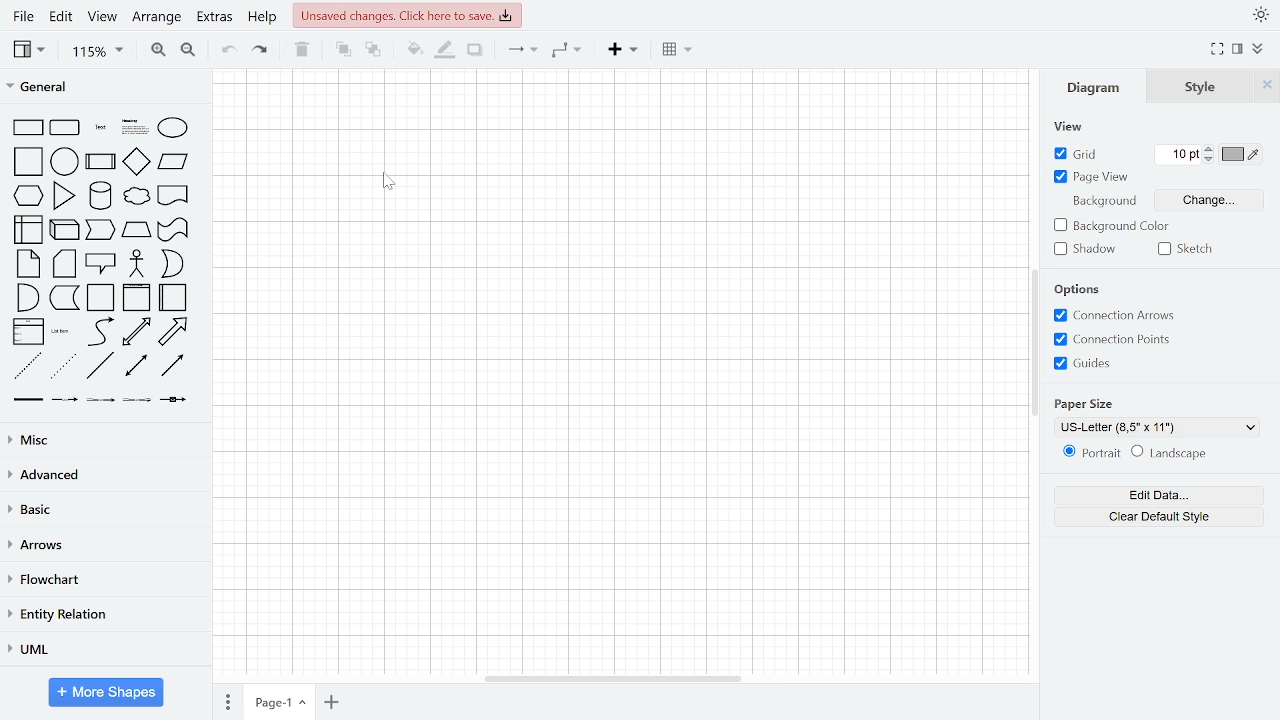  I want to click on tape, so click(173, 230).